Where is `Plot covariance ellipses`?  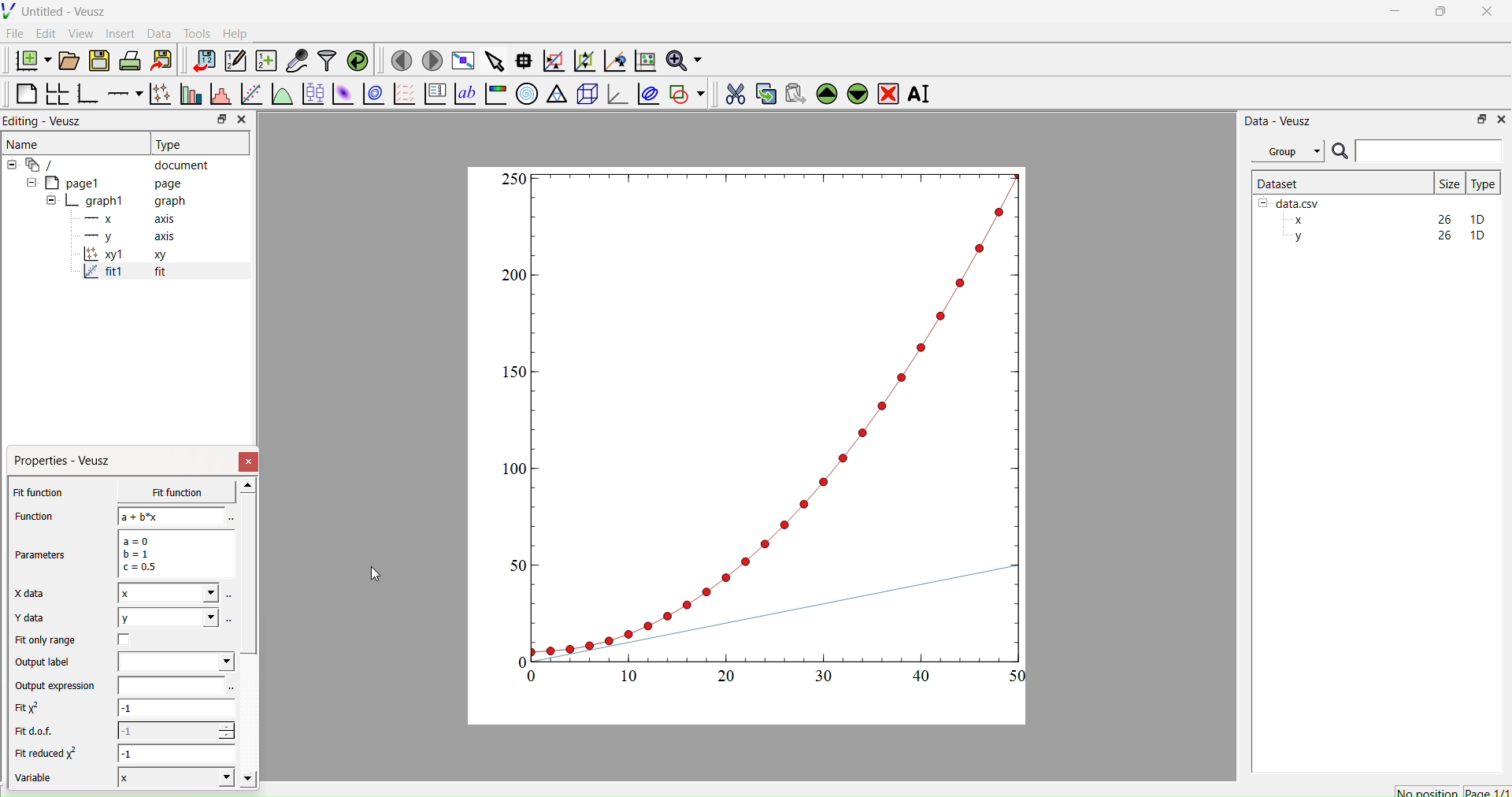
Plot covariance ellipses is located at coordinates (647, 93).